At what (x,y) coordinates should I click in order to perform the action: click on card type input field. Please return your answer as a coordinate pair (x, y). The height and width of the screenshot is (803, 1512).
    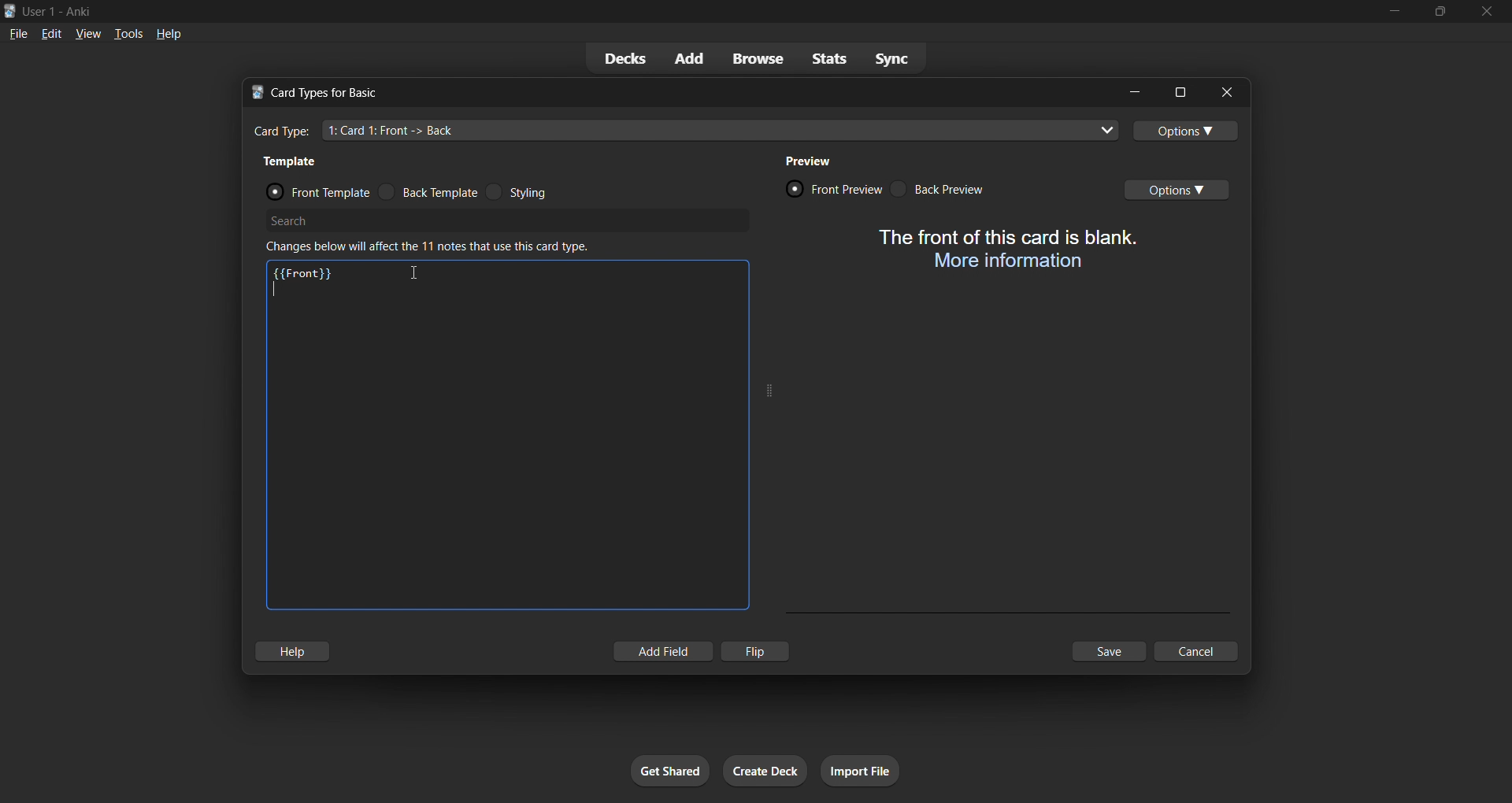
    Looking at the image, I should click on (685, 131).